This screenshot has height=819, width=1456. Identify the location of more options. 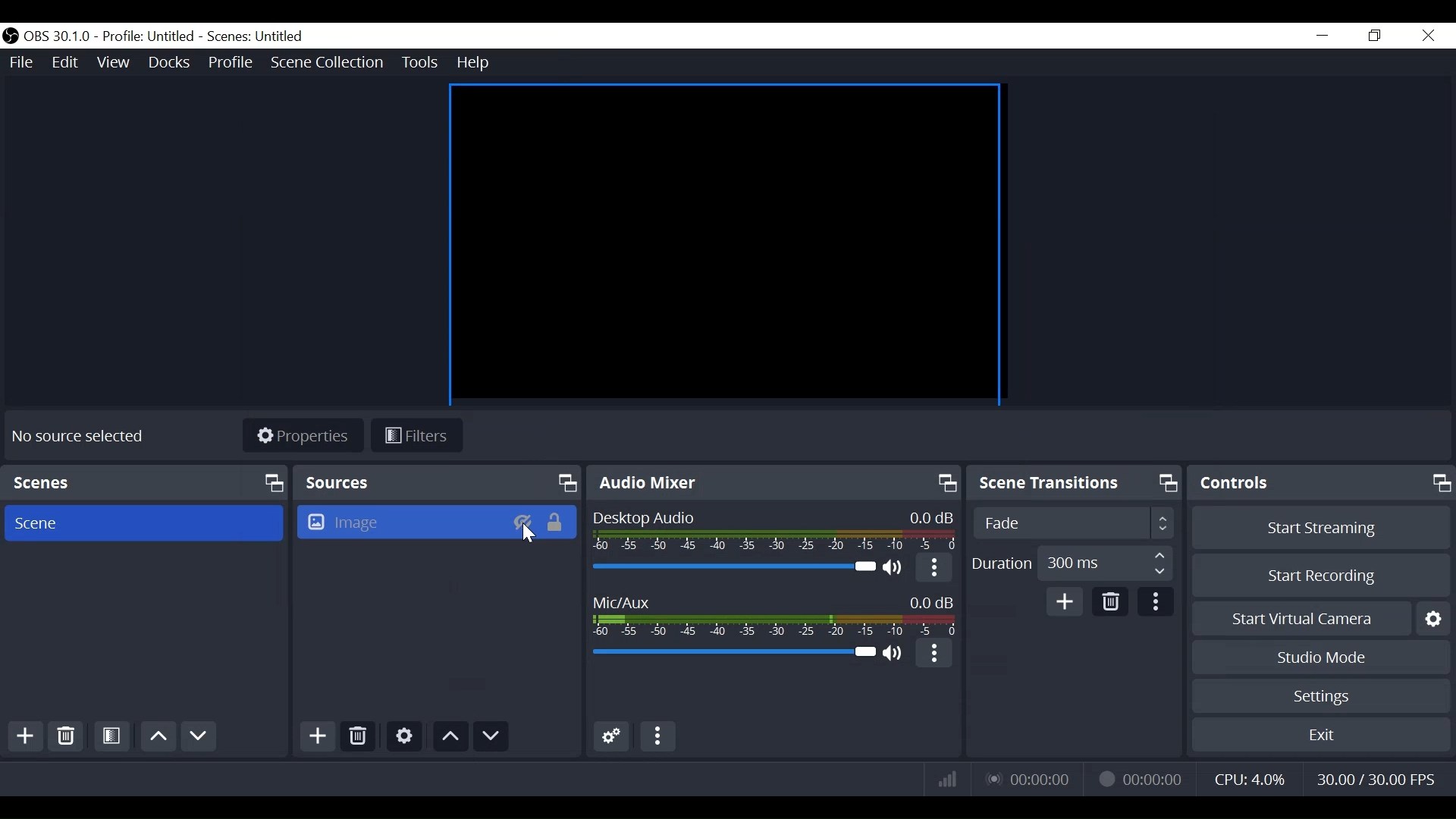
(934, 566).